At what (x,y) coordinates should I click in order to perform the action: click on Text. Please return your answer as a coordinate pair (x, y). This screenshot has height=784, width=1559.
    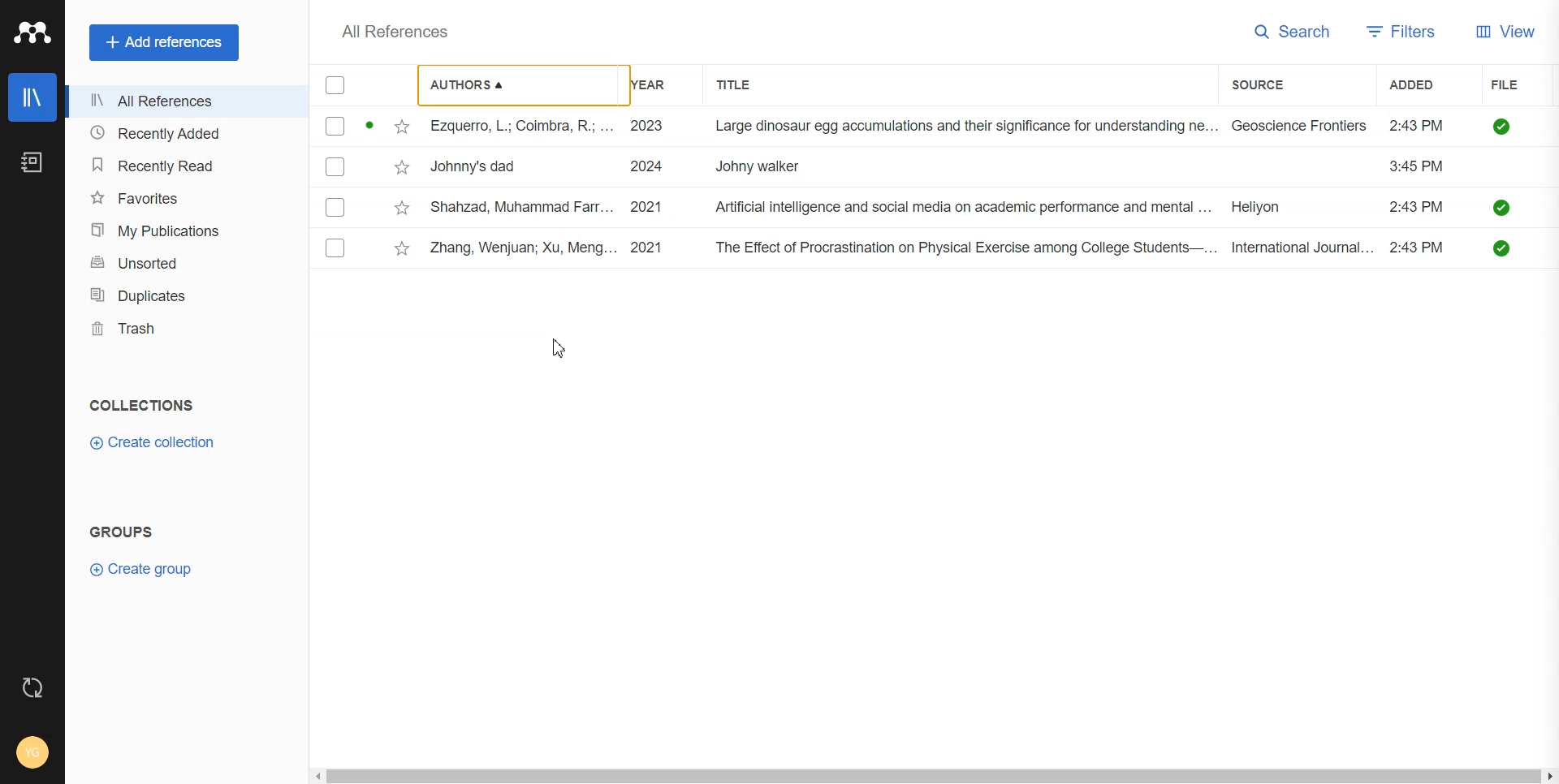
    Looking at the image, I should click on (143, 405).